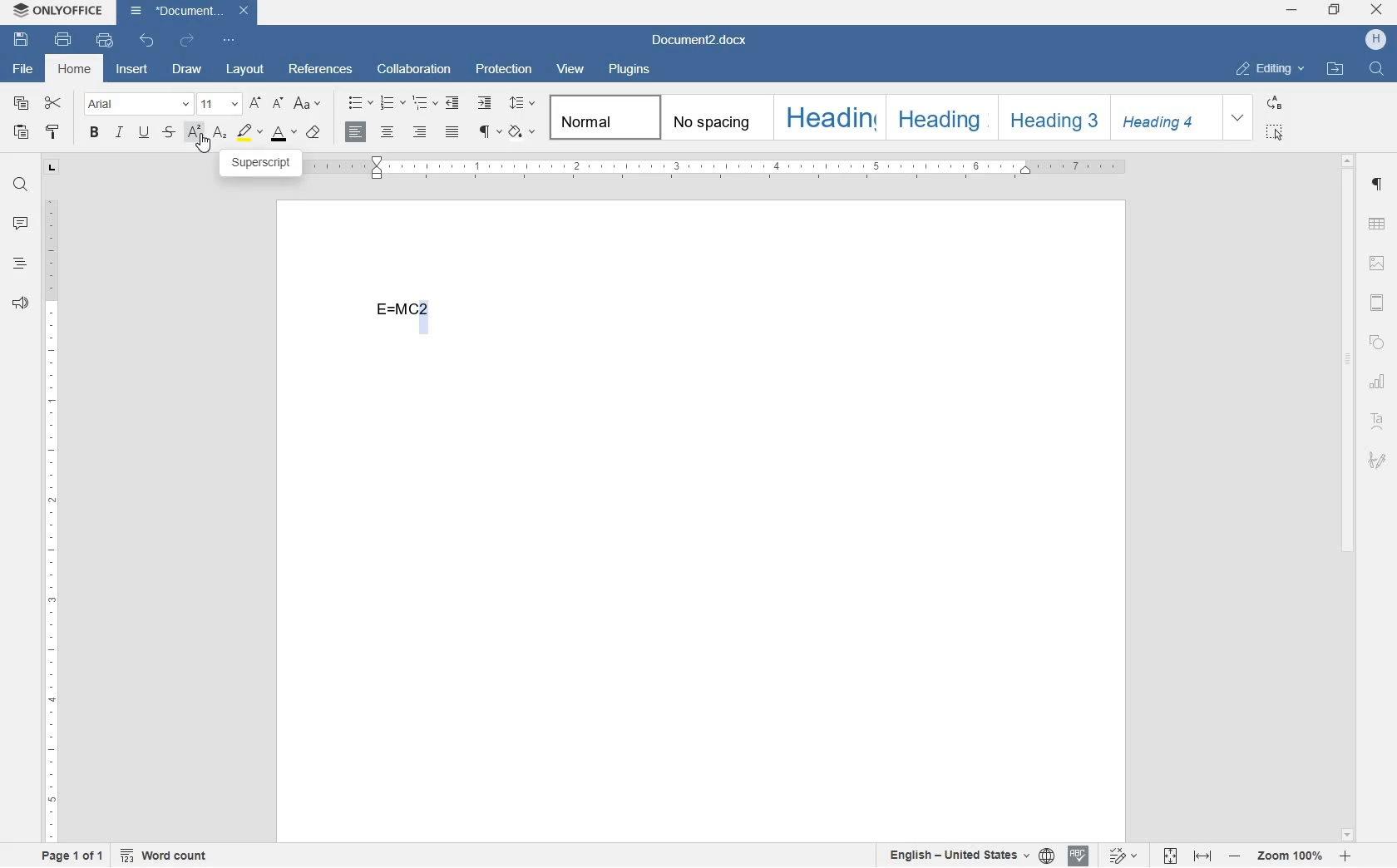  I want to click on signature, so click(1379, 462).